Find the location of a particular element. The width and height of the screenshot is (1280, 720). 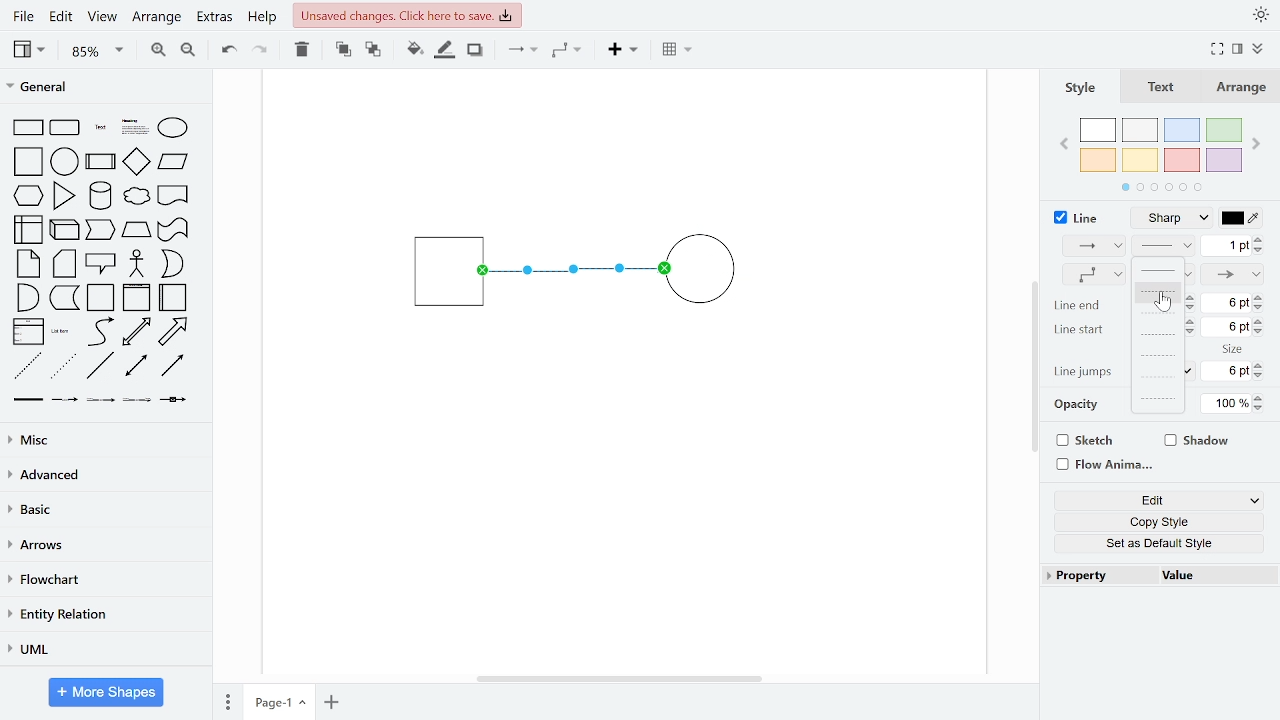

dashed 2 is located at coordinates (1158, 314).